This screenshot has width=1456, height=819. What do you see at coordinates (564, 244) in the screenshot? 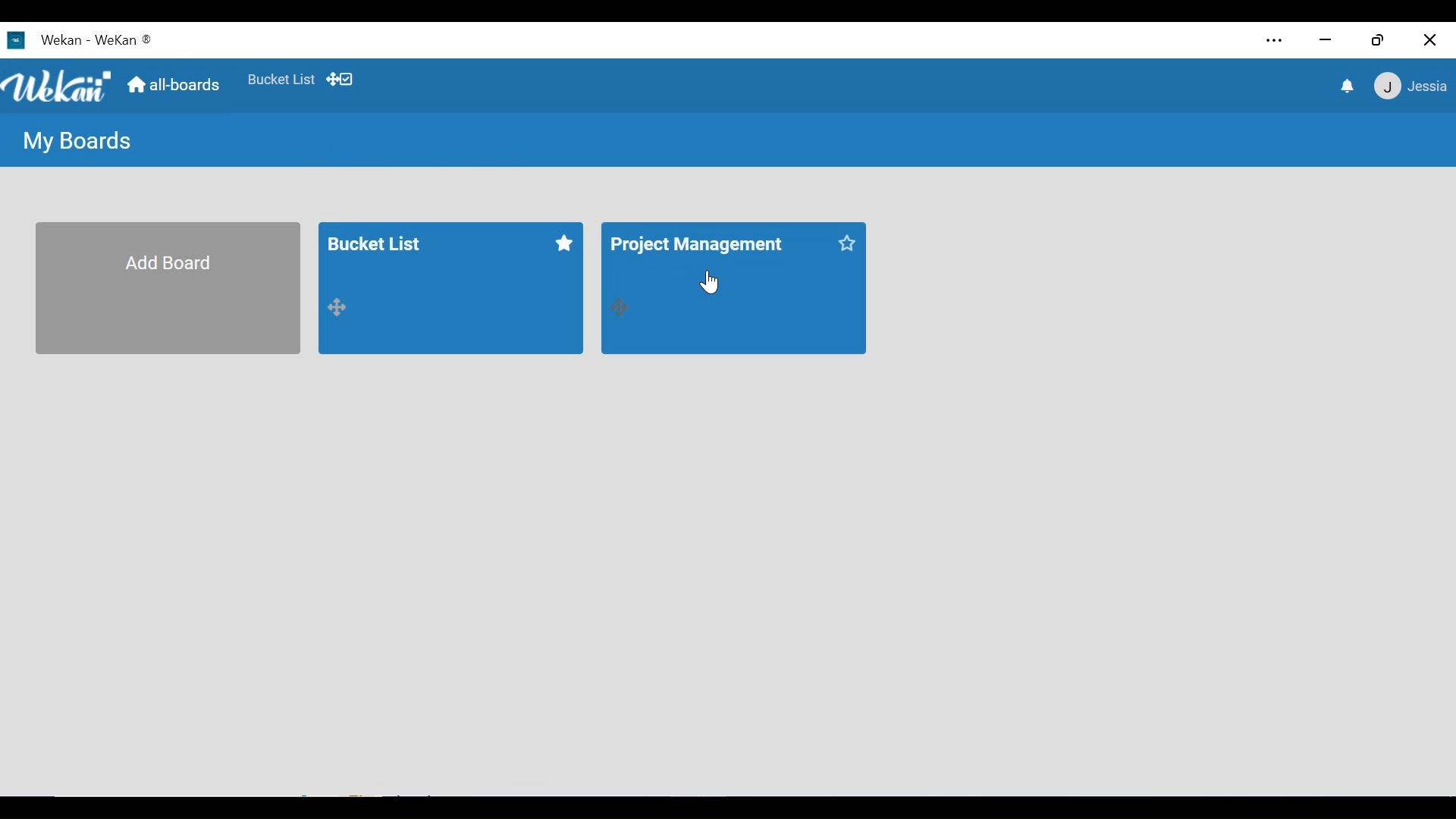
I see `mark as favorite` at bounding box center [564, 244].